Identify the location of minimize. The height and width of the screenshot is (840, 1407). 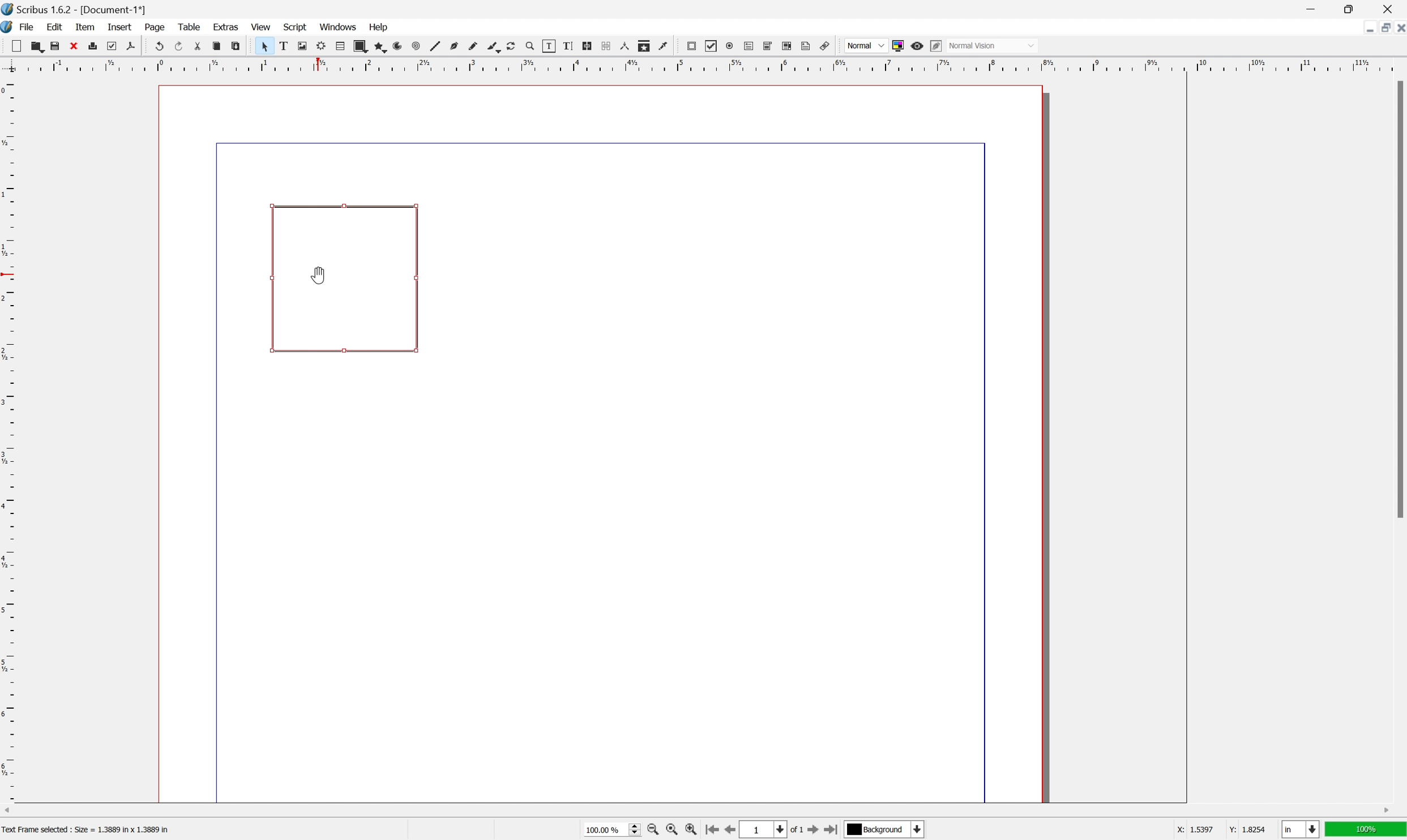
(1364, 28).